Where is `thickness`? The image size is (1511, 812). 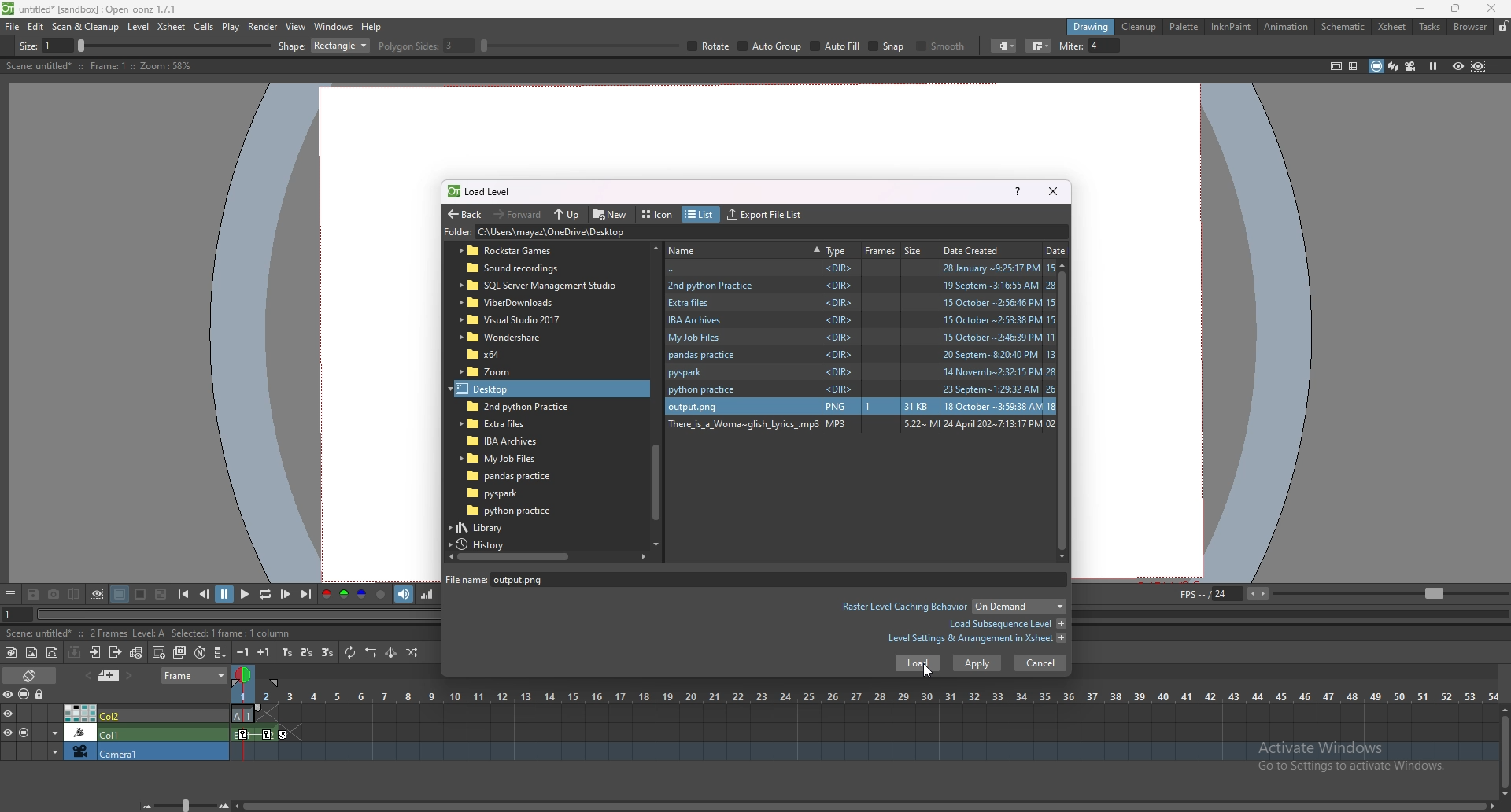
thickness is located at coordinates (163, 46).